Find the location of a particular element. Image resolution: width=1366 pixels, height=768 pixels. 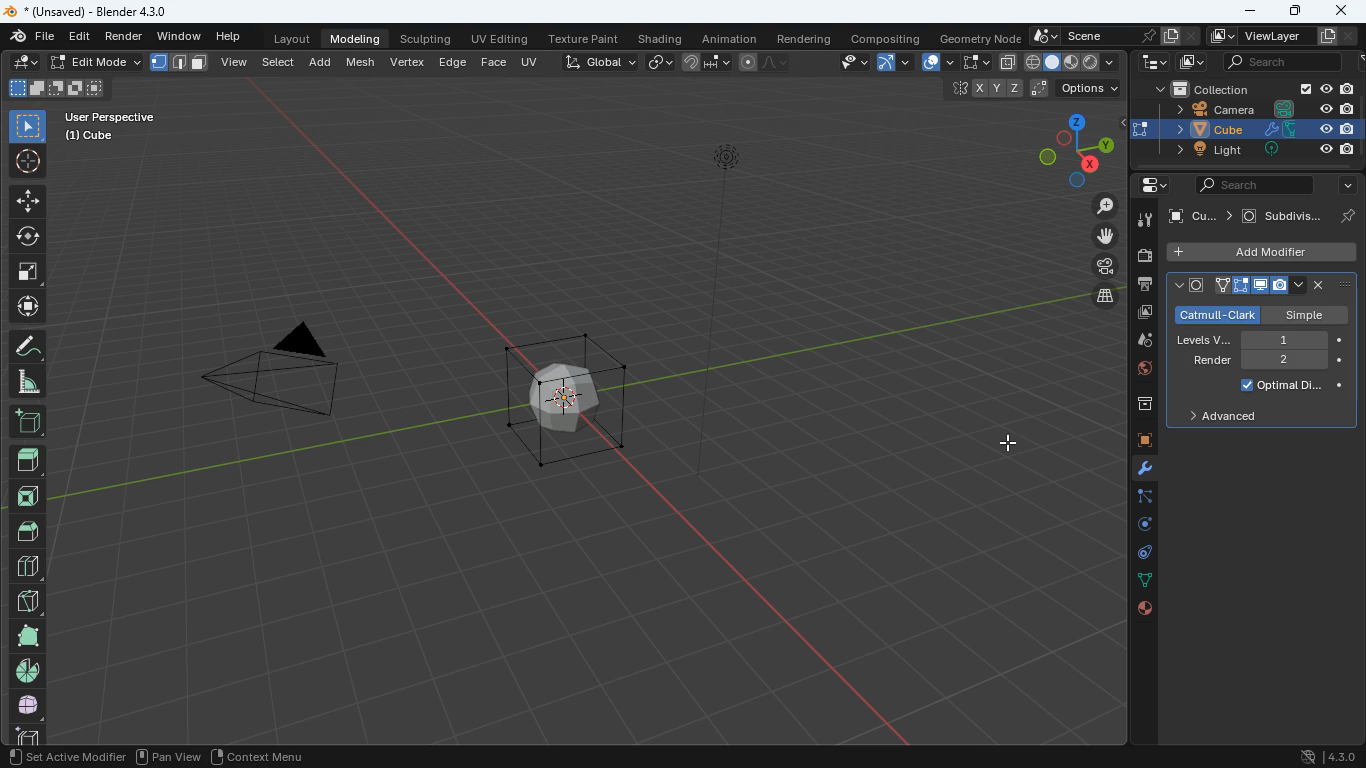

cube is located at coordinates (1246, 129).